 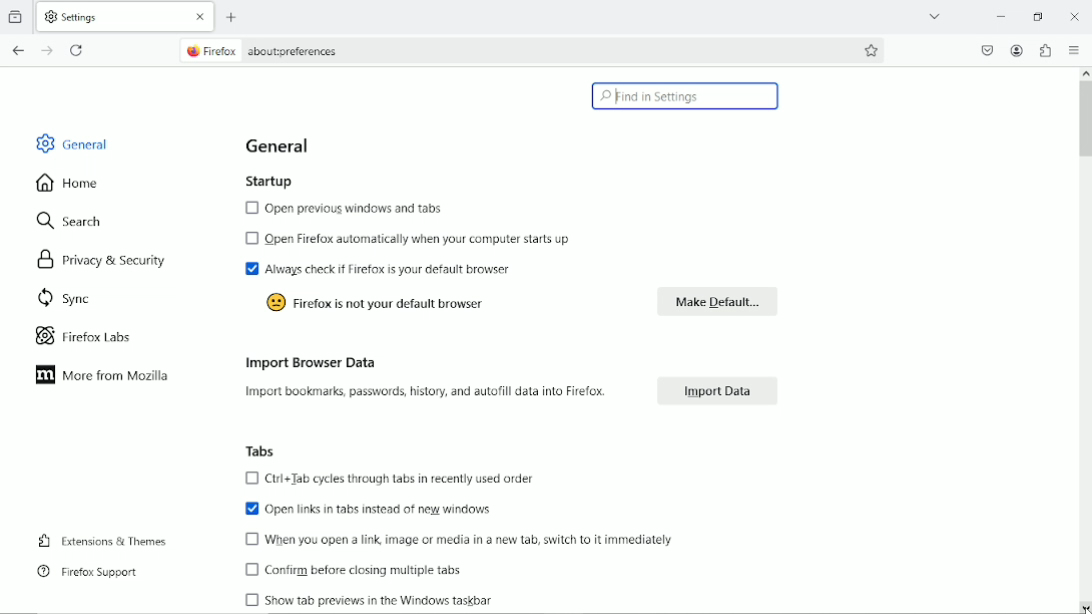 What do you see at coordinates (466, 539) in the screenshot?
I see `when you open a link, image or media in a new tab switch to it immediately` at bounding box center [466, 539].